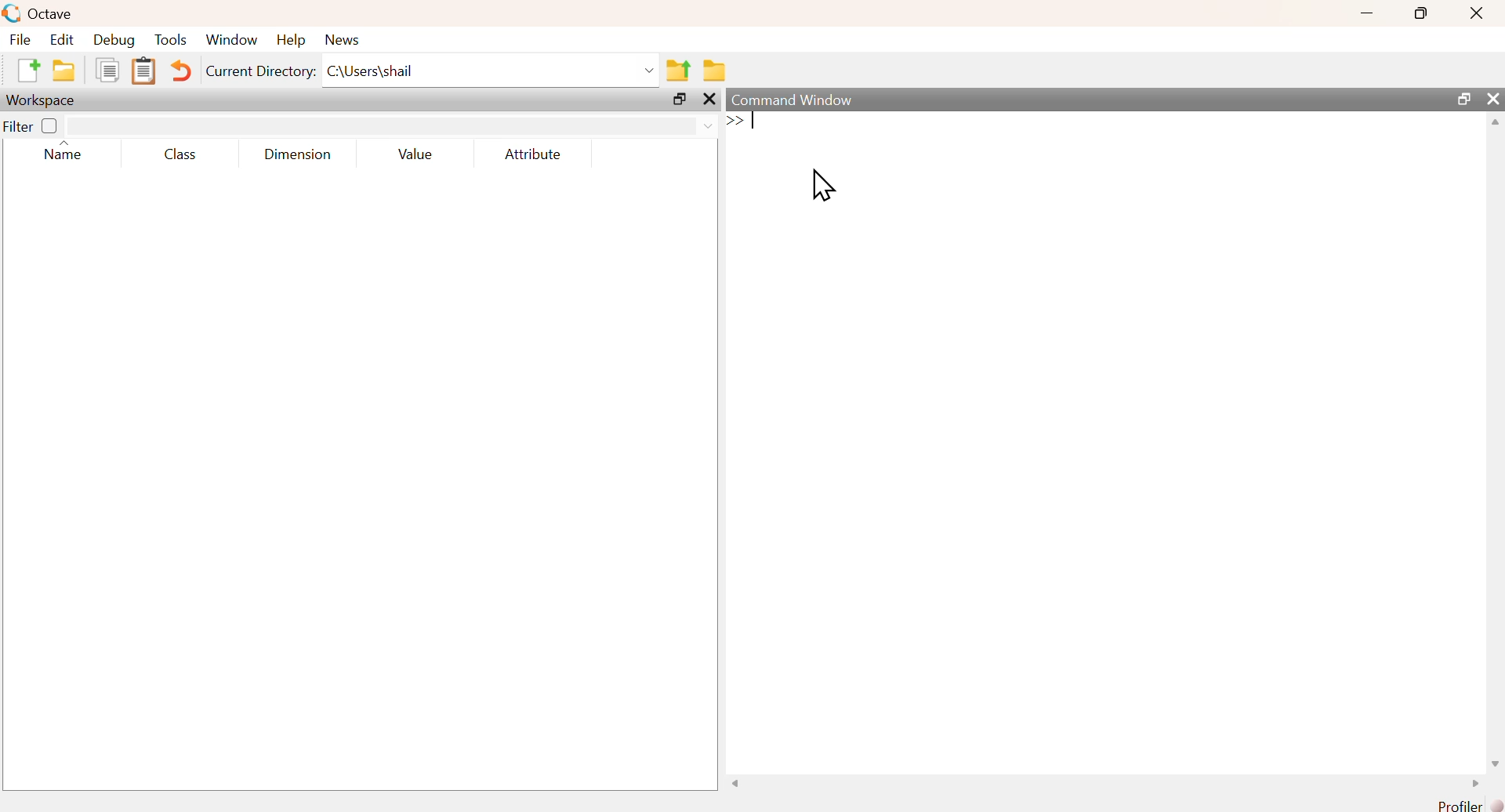  Describe the element at coordinates (371, 71) in the screenshot. I see `C:\Users\shail` at that location.